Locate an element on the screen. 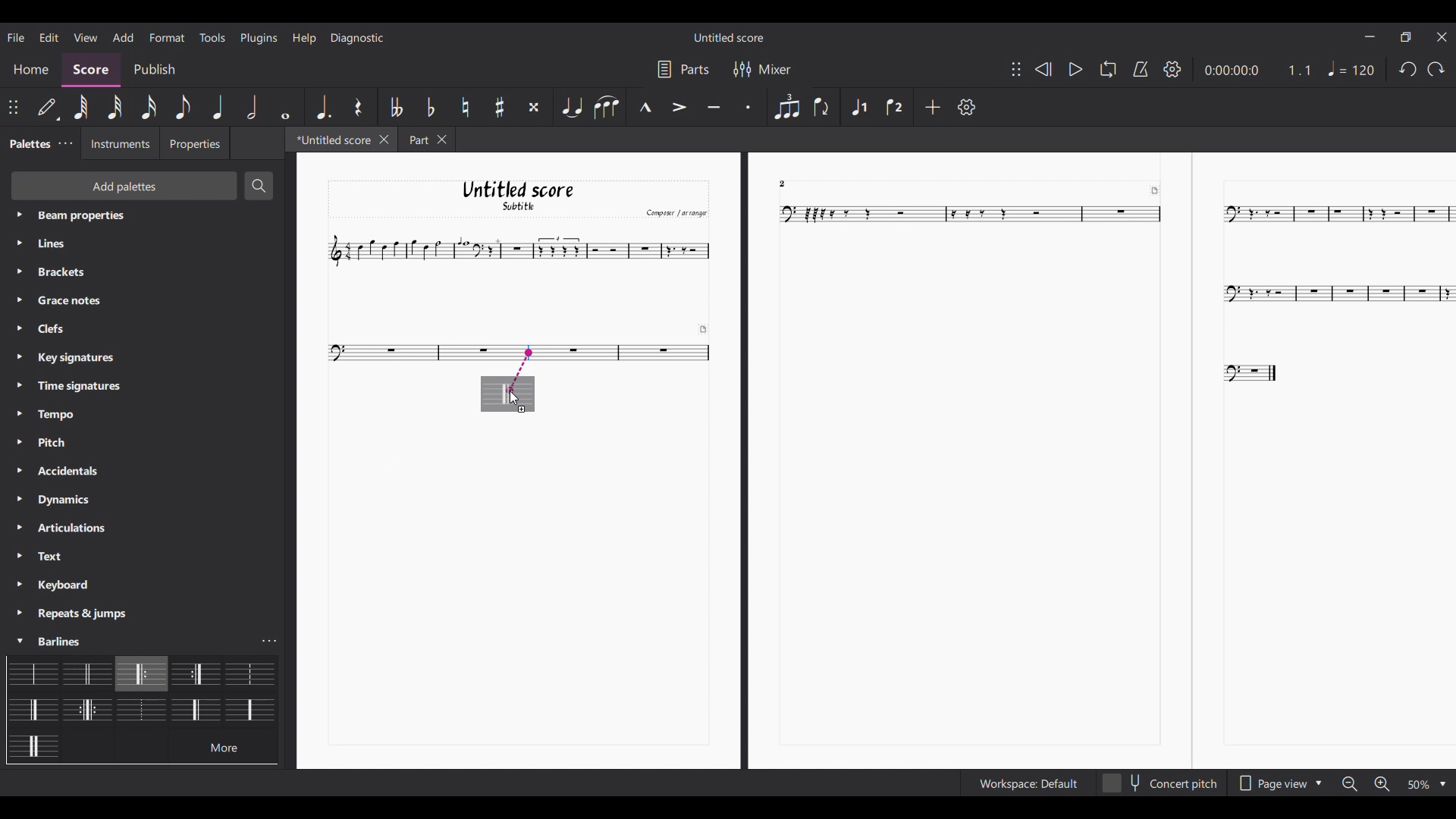  Toggle sharp is located at coordinates (499, 107).